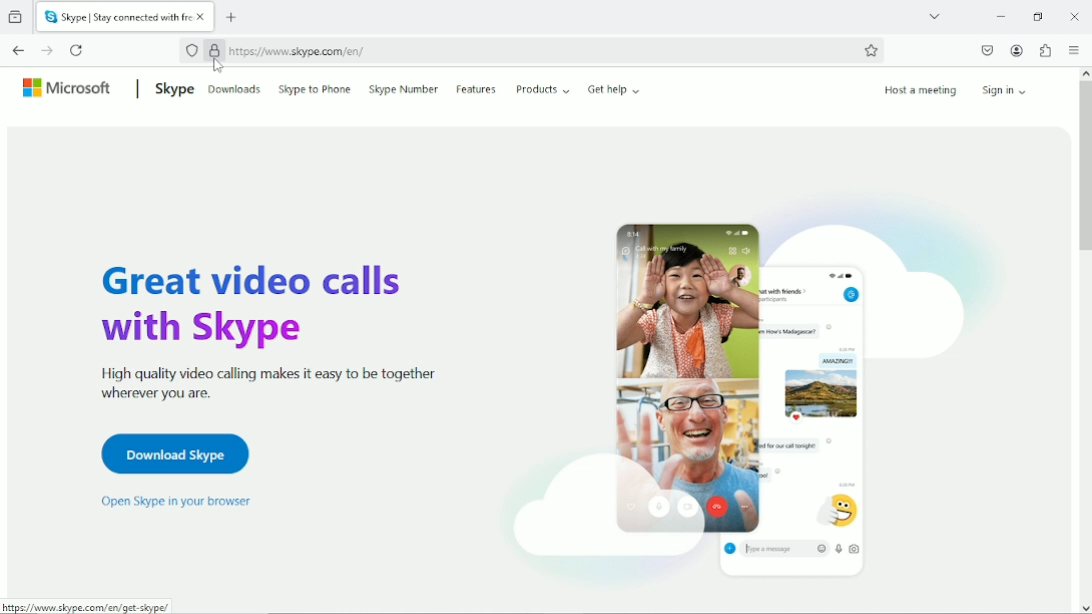 This screenshot has width=1092, height=614. I want to click on Get help, so click(614, 89).